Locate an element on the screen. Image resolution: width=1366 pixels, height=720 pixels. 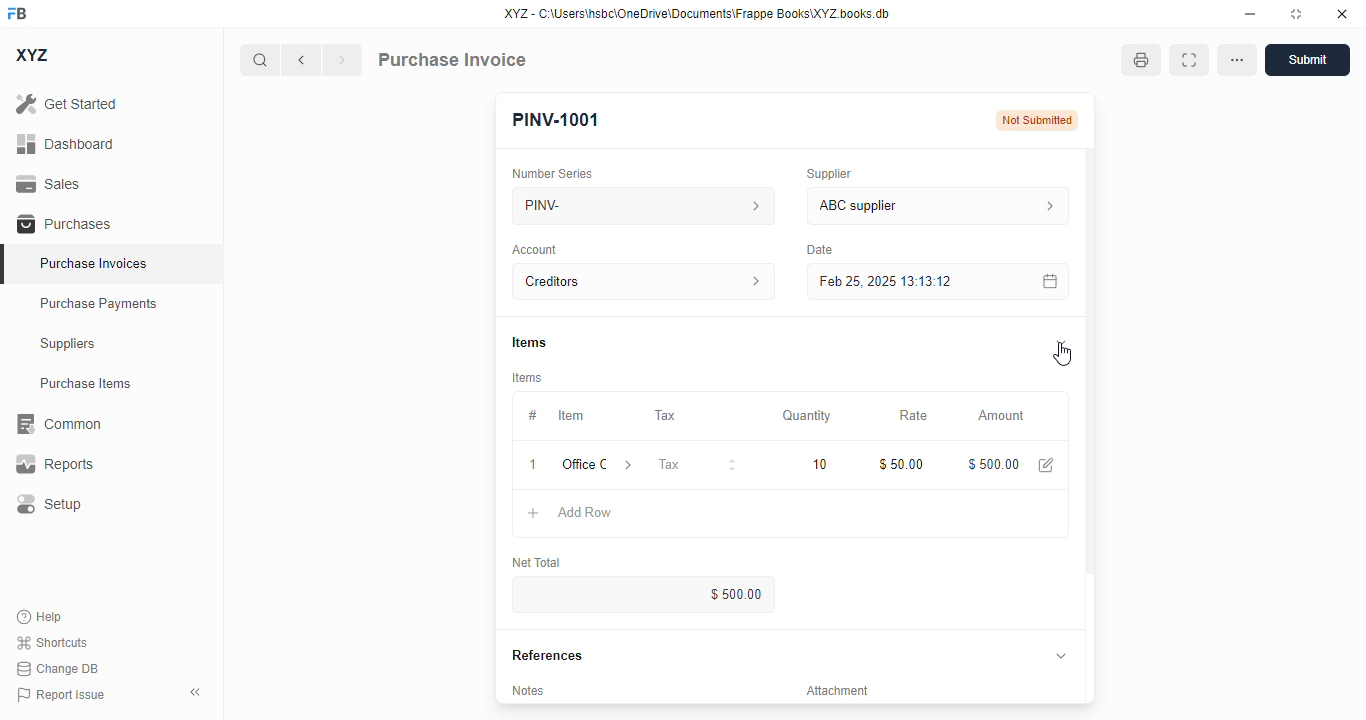
PINV- is located at coordinates (617, 205).